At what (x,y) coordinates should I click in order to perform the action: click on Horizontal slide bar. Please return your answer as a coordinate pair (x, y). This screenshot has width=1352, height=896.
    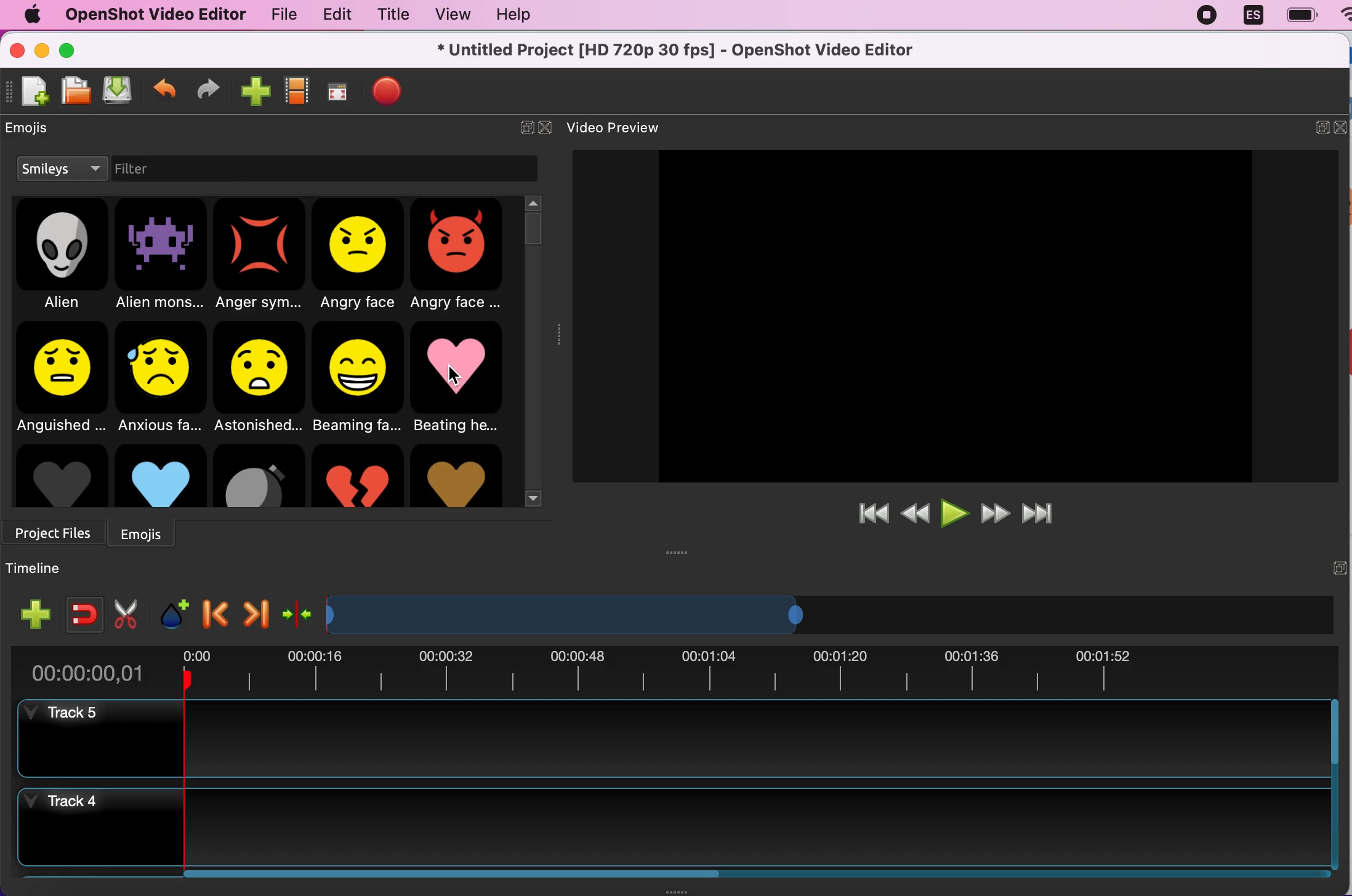
    Looking at the image, I should click on (742, 874).